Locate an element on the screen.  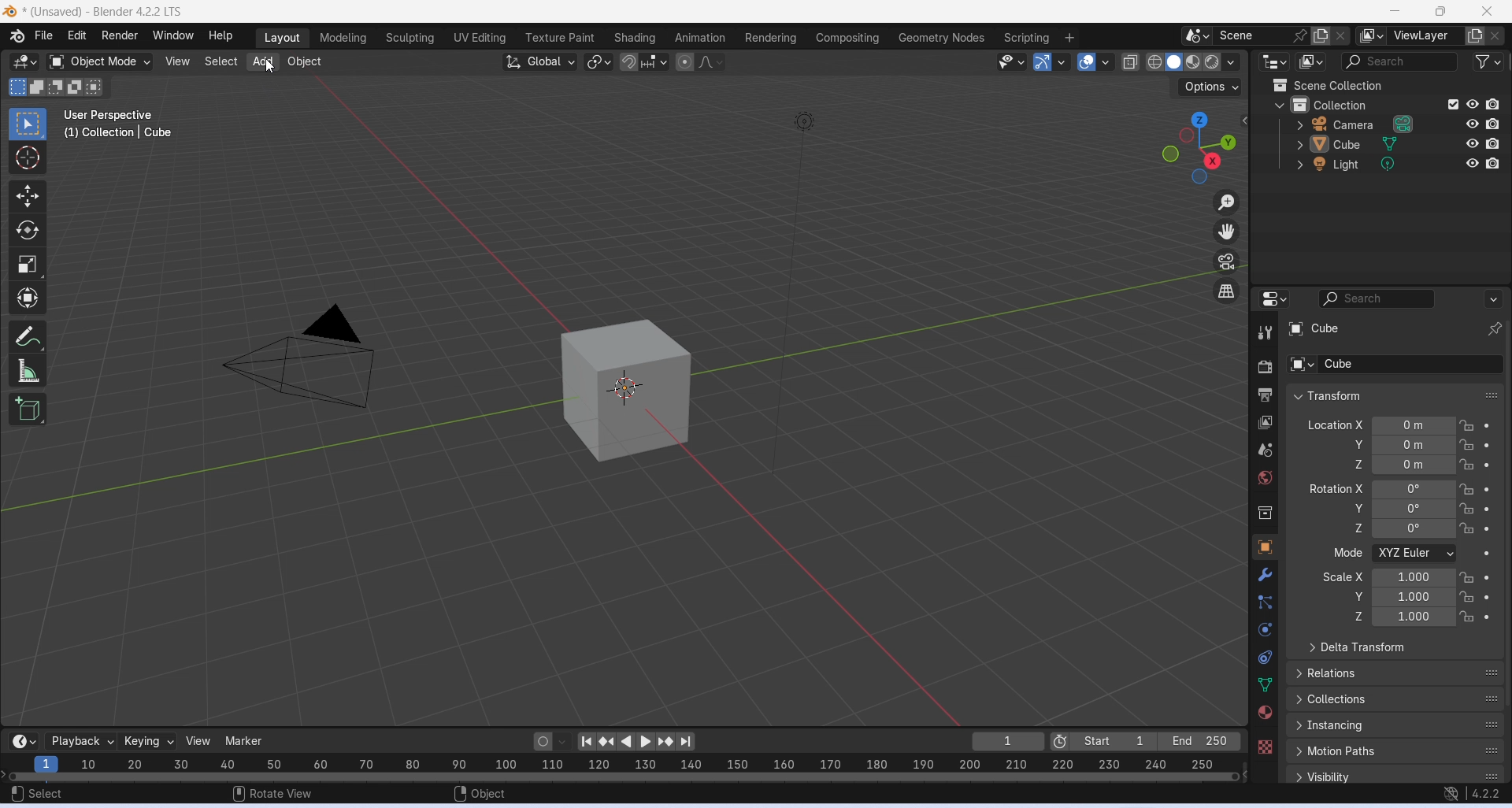
Cube is located at coordinates (1394, 364).